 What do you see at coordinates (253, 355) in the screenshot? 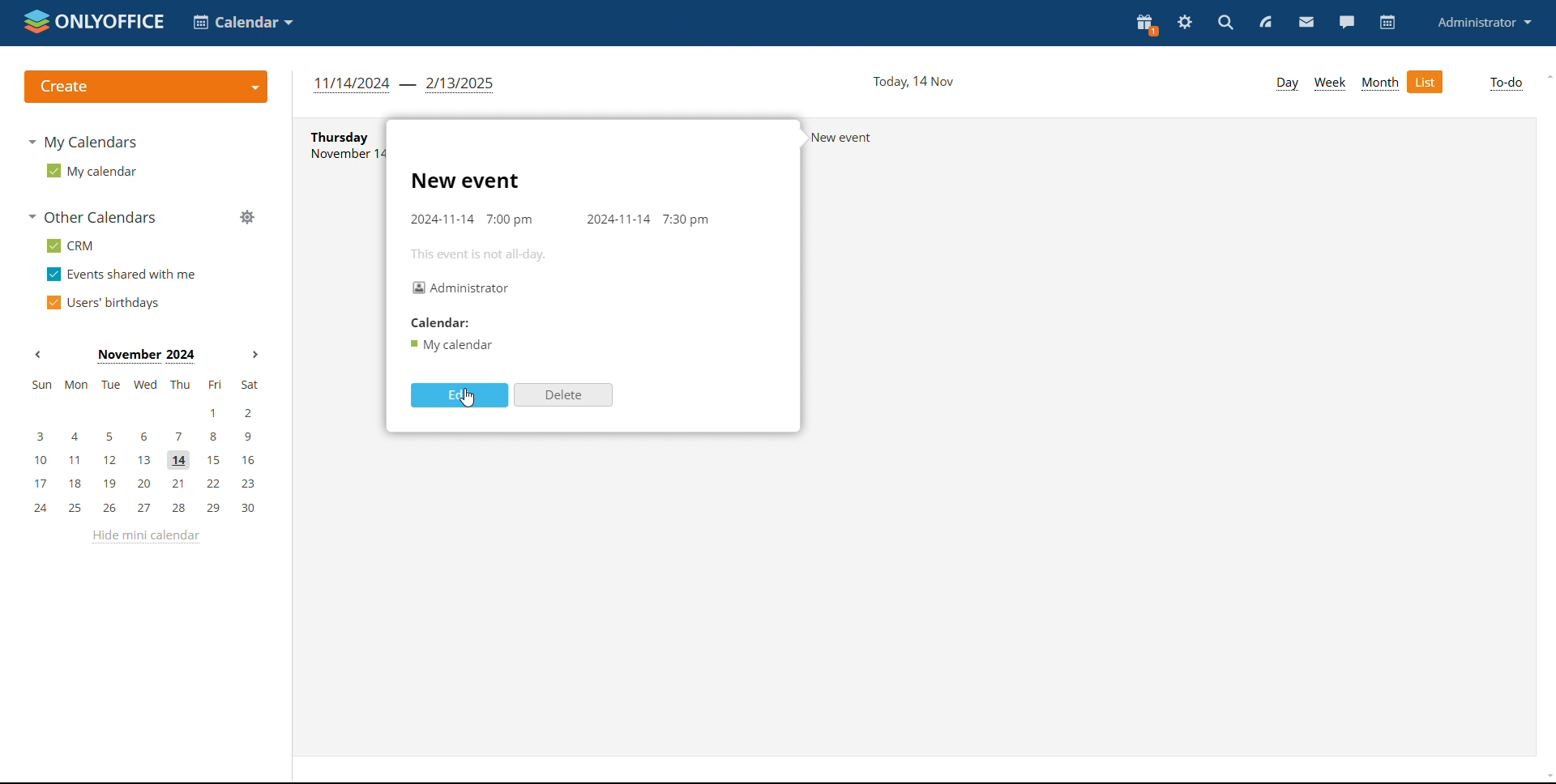
I see `next months` at bounding box center [253, 355].